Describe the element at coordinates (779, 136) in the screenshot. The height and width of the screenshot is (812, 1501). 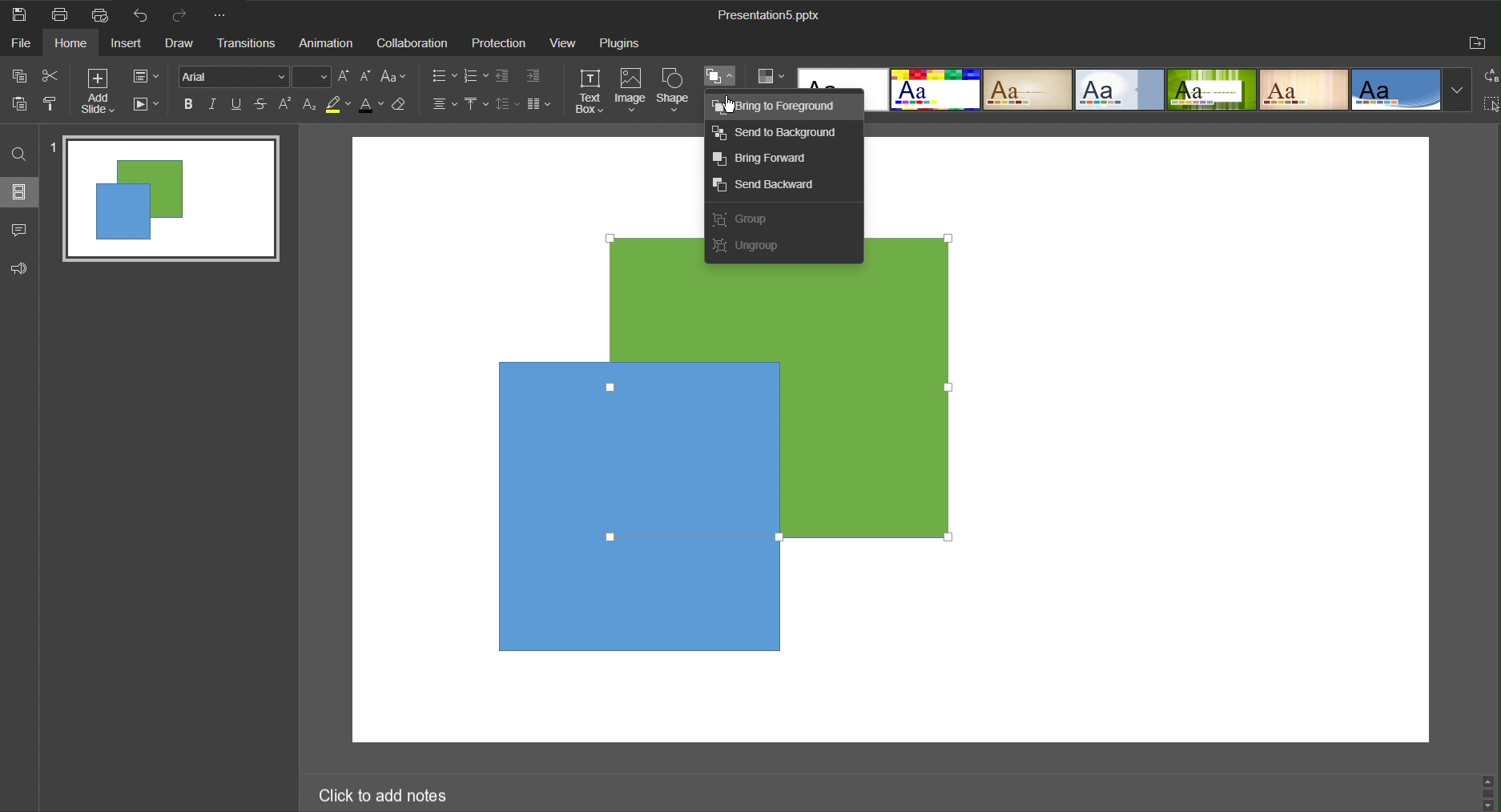
I see `Send to Backgund` at that location.